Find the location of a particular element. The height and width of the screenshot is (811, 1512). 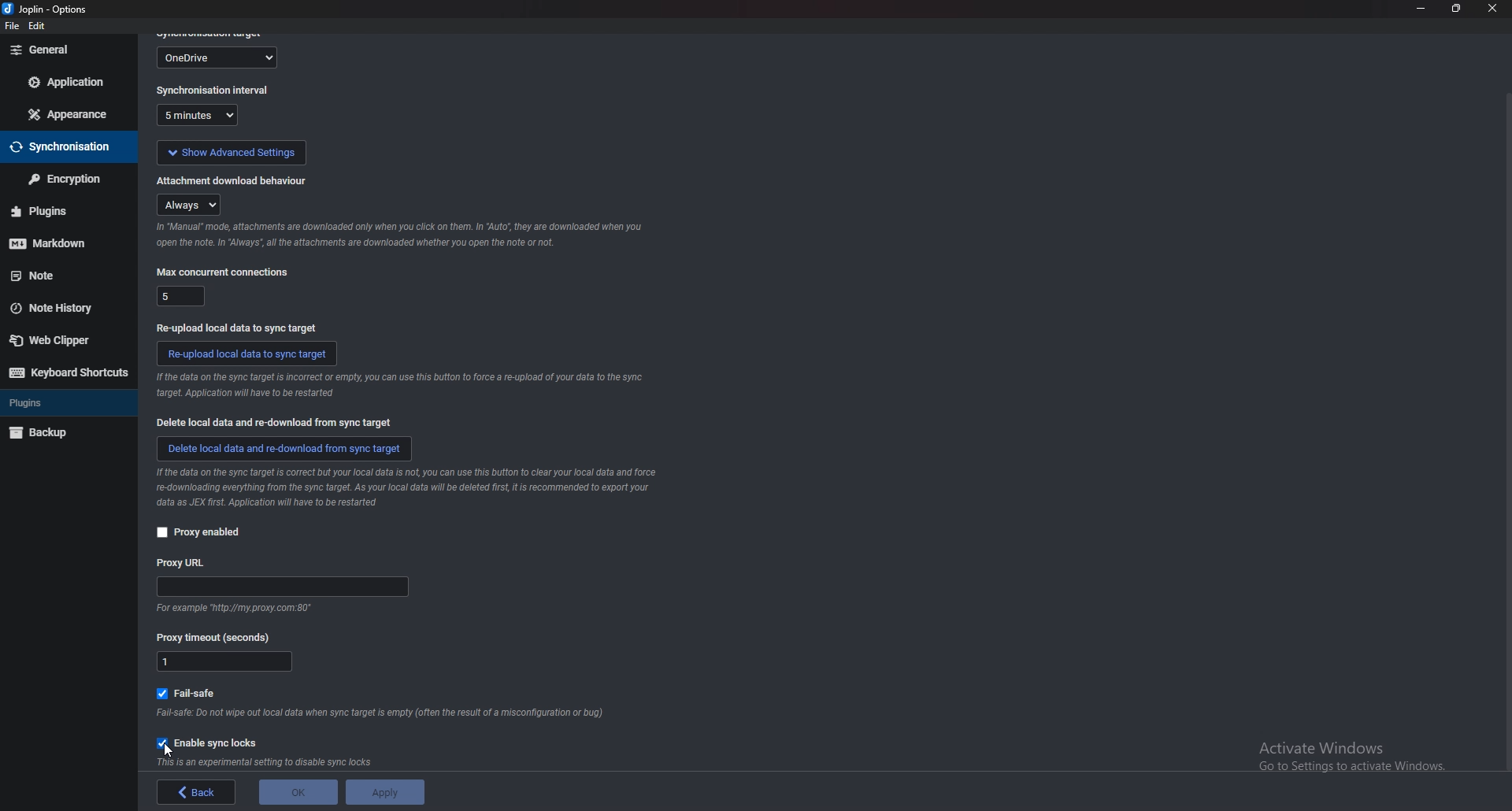

attachment download behaviour is located at coordinates (192, 204).